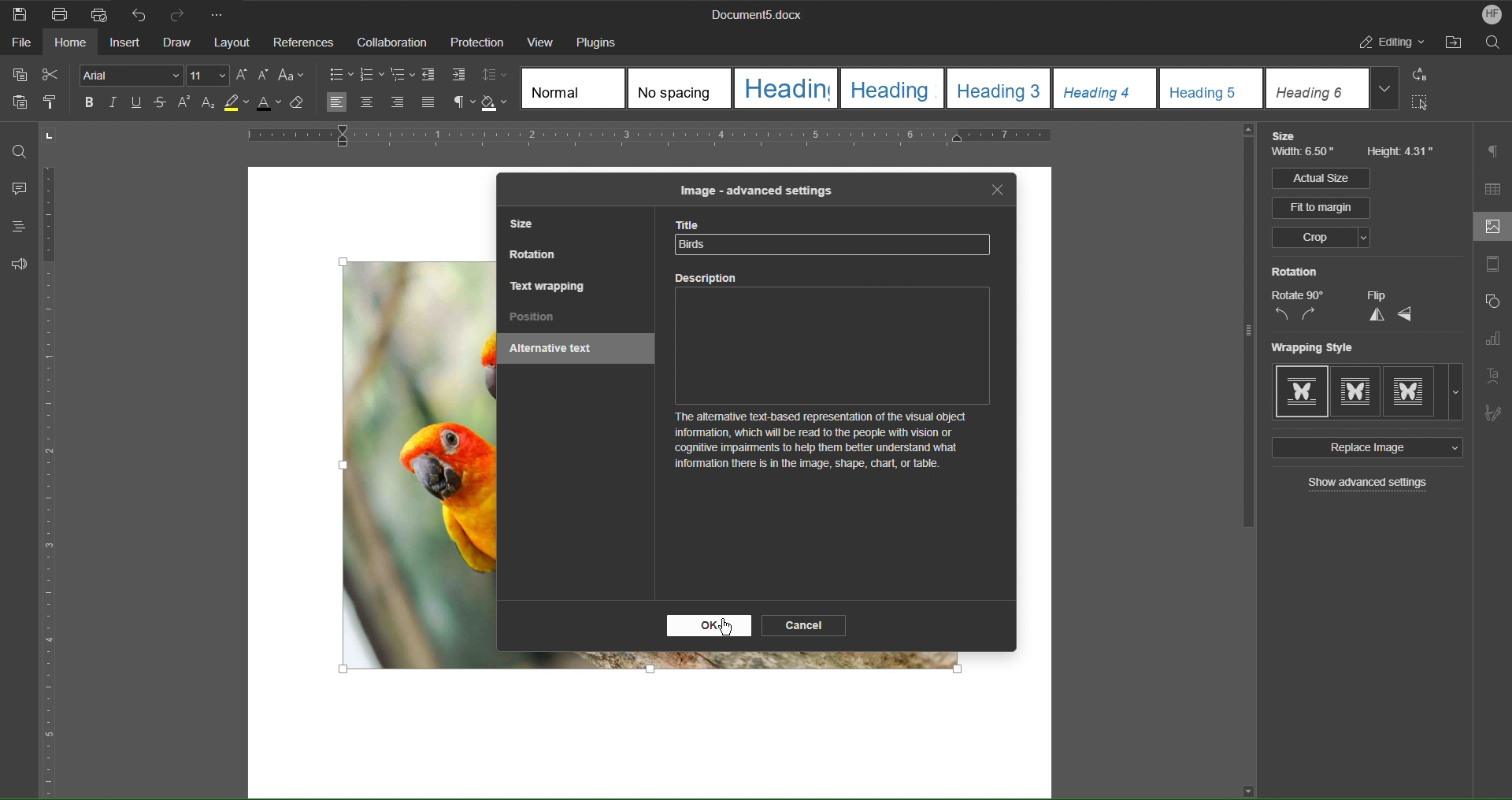 The image size is (1512, 800). I want to click on Feedback and Support, so click(19, 264).